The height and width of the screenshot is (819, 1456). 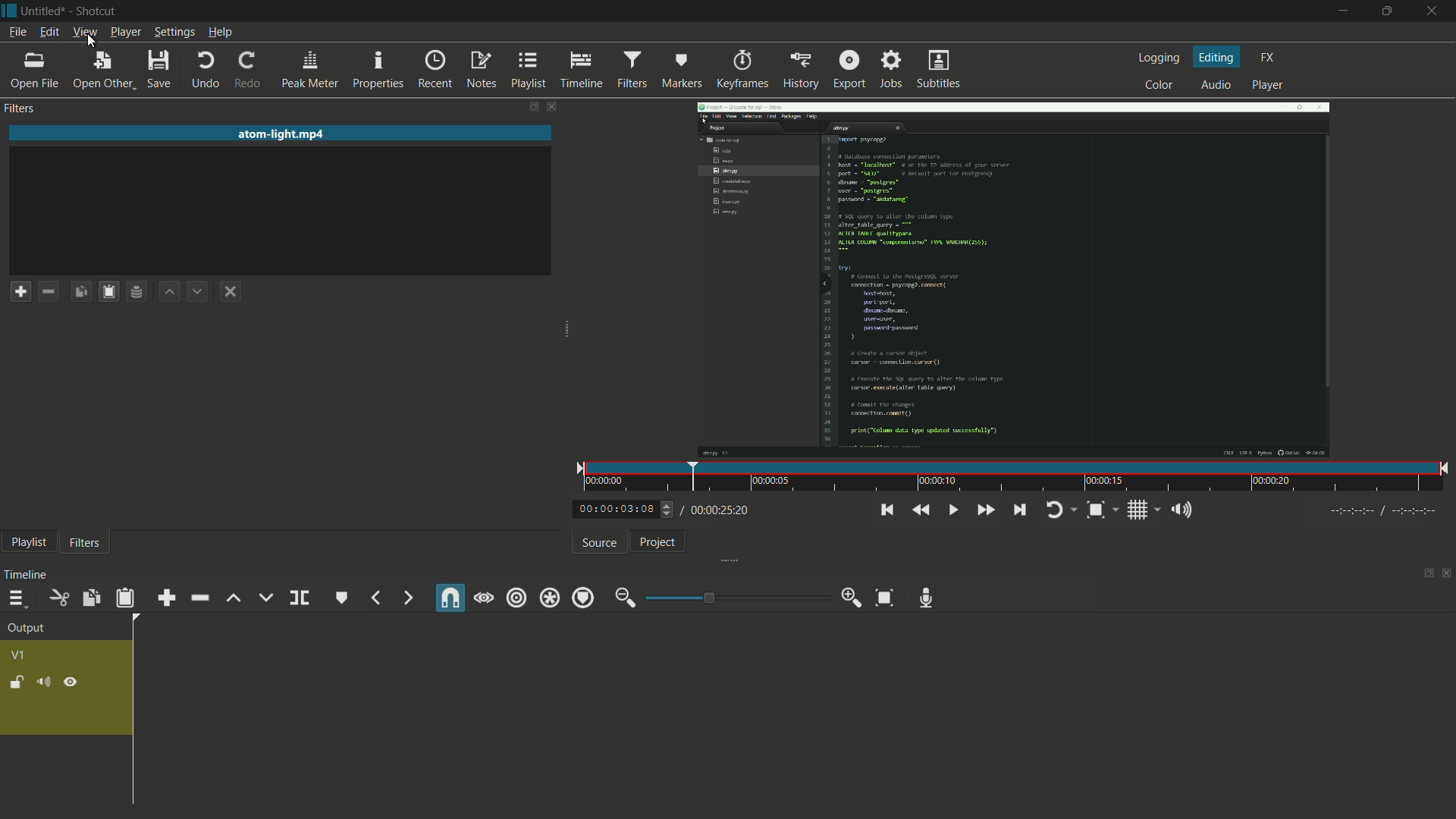 I want to click on change layout, so click(x=1426, y=573).